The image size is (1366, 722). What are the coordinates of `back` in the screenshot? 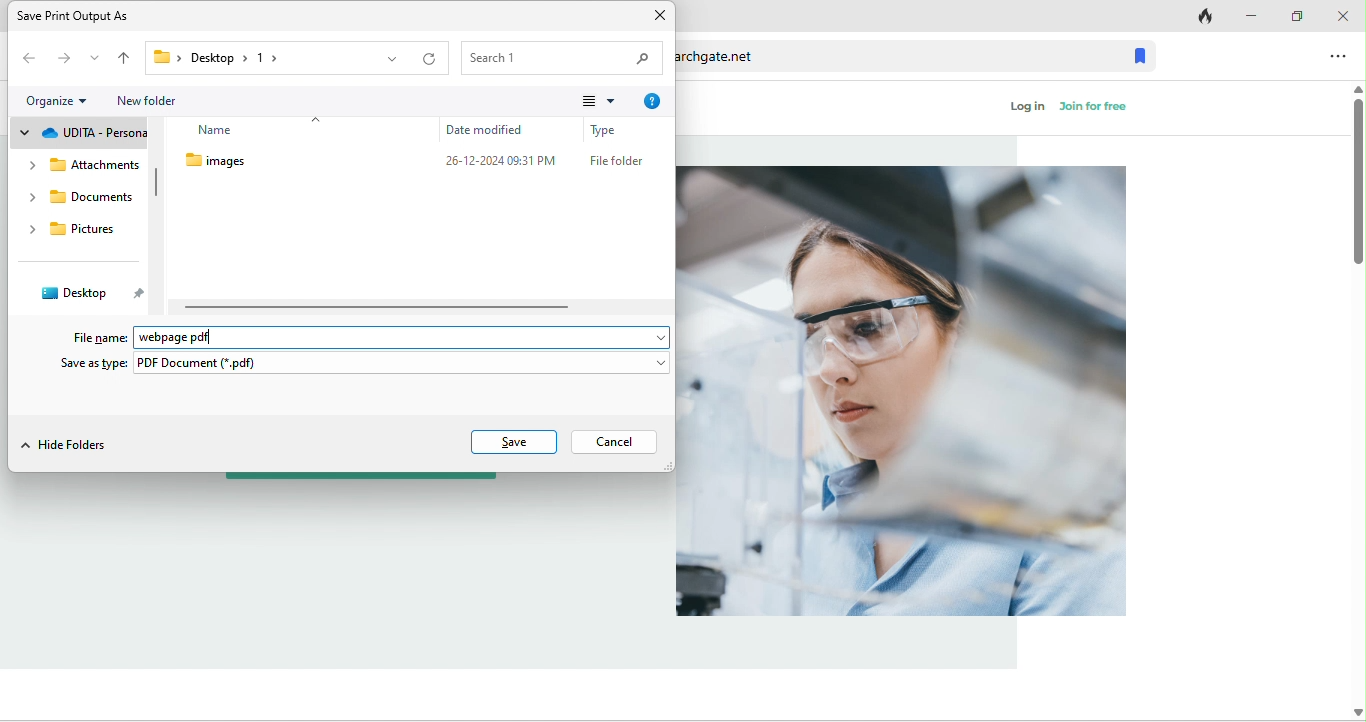 It's located at (27, 60).